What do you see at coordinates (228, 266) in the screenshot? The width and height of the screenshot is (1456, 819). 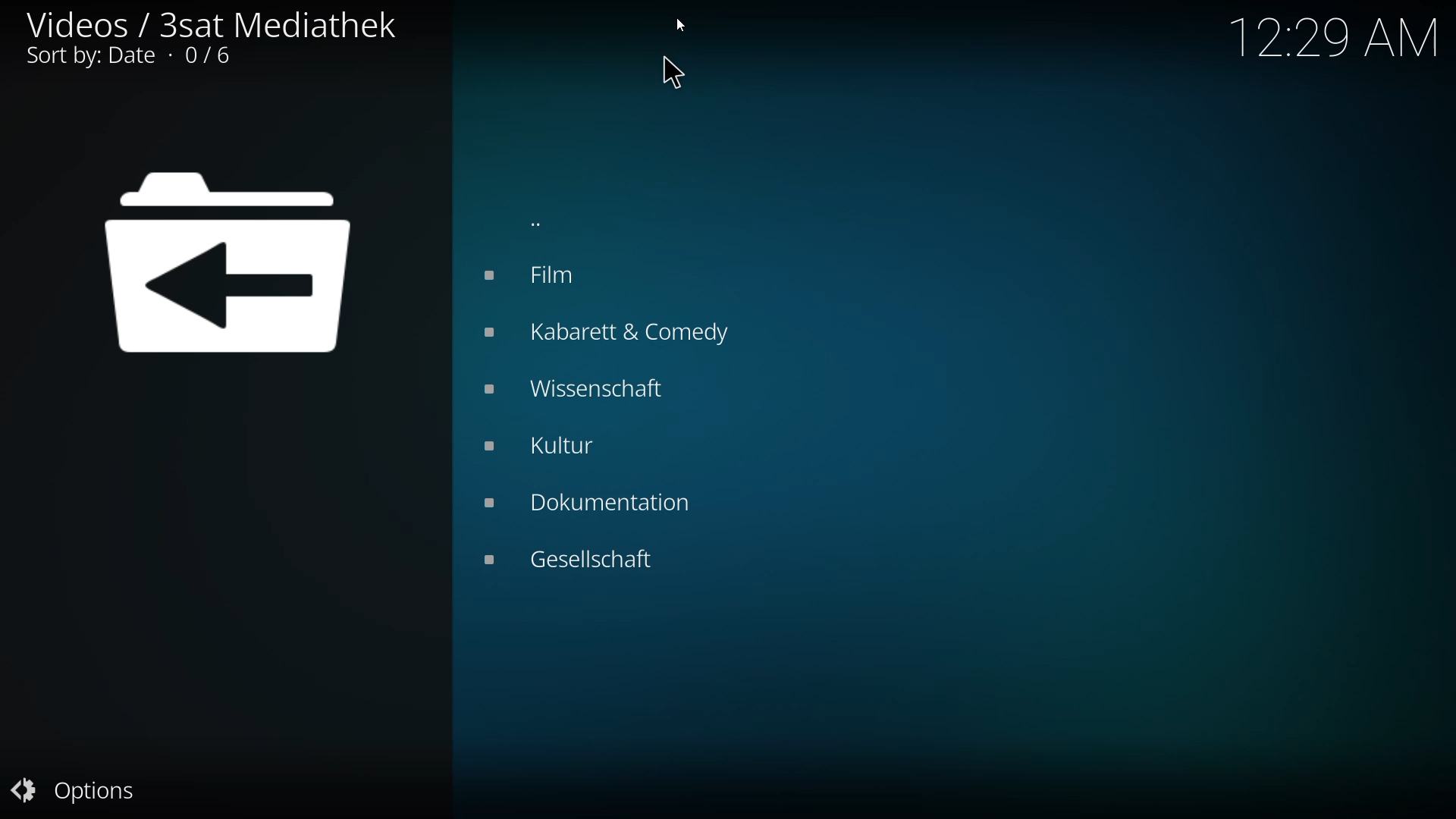 I see `file` at bounding box center [228, 266].